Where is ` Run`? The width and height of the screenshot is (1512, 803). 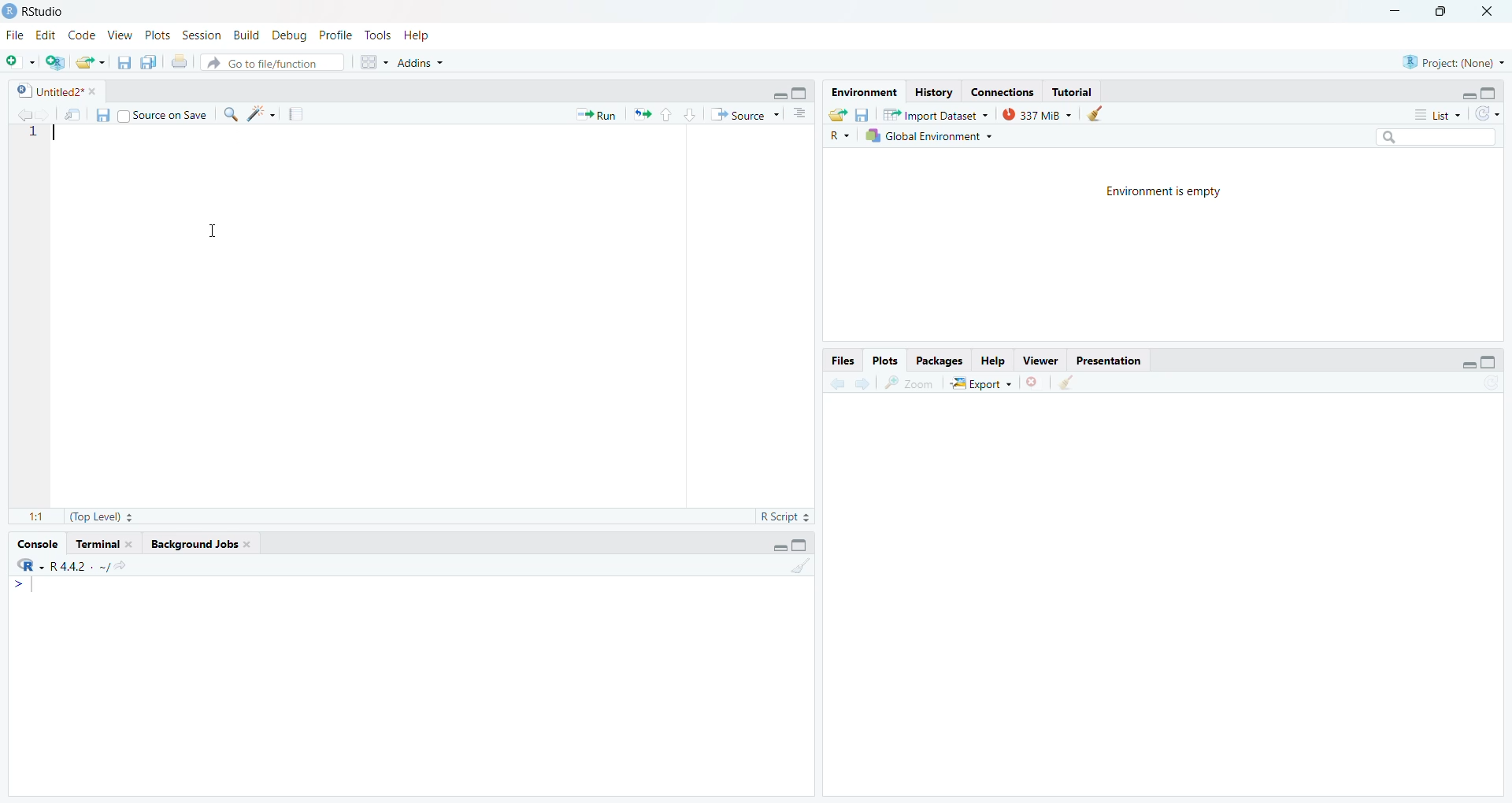  Run is located at coordinates (592, 115).